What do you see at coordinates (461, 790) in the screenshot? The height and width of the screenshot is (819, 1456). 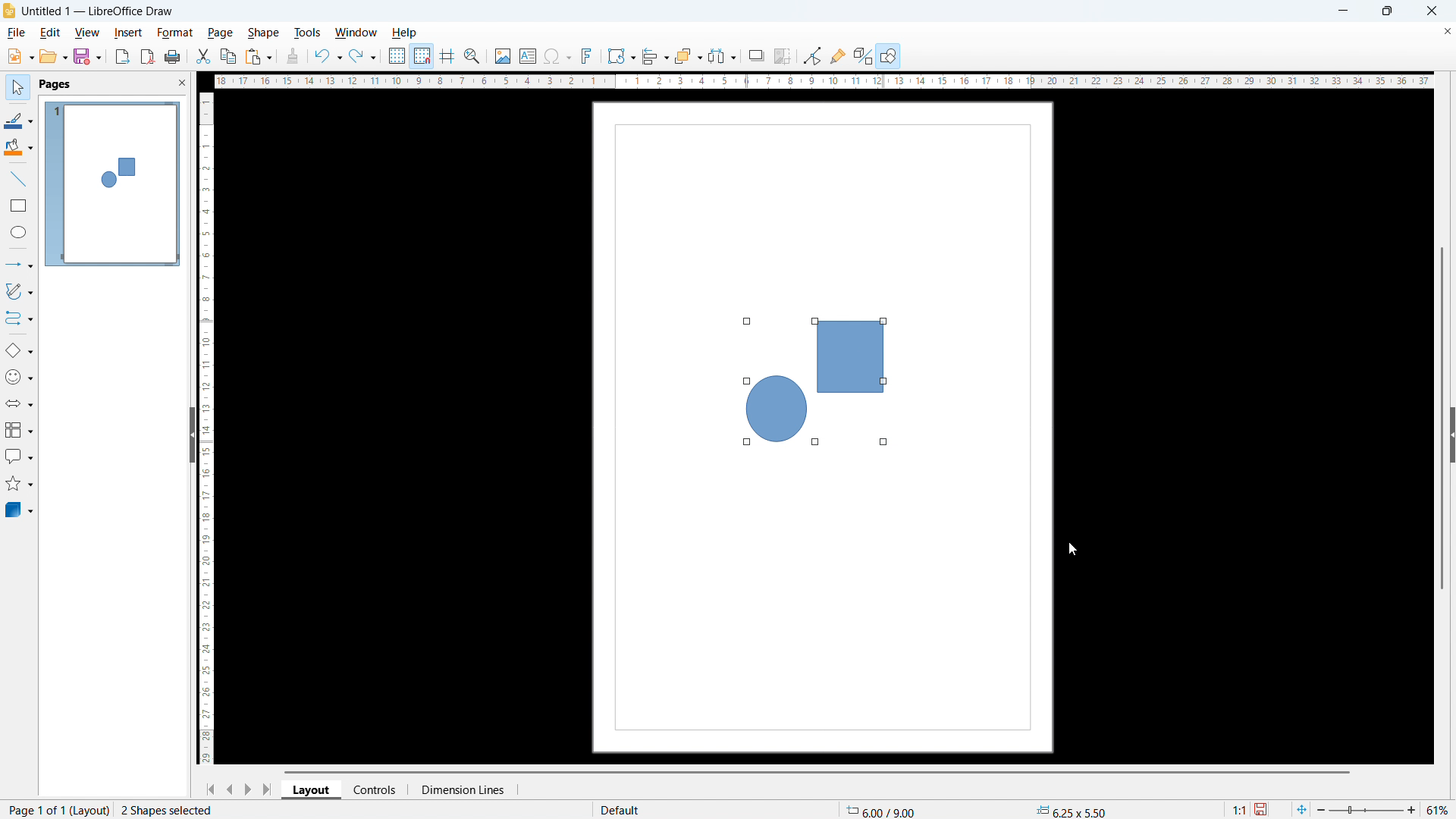 I see `dimension lines` at bounding box center [461, 790].